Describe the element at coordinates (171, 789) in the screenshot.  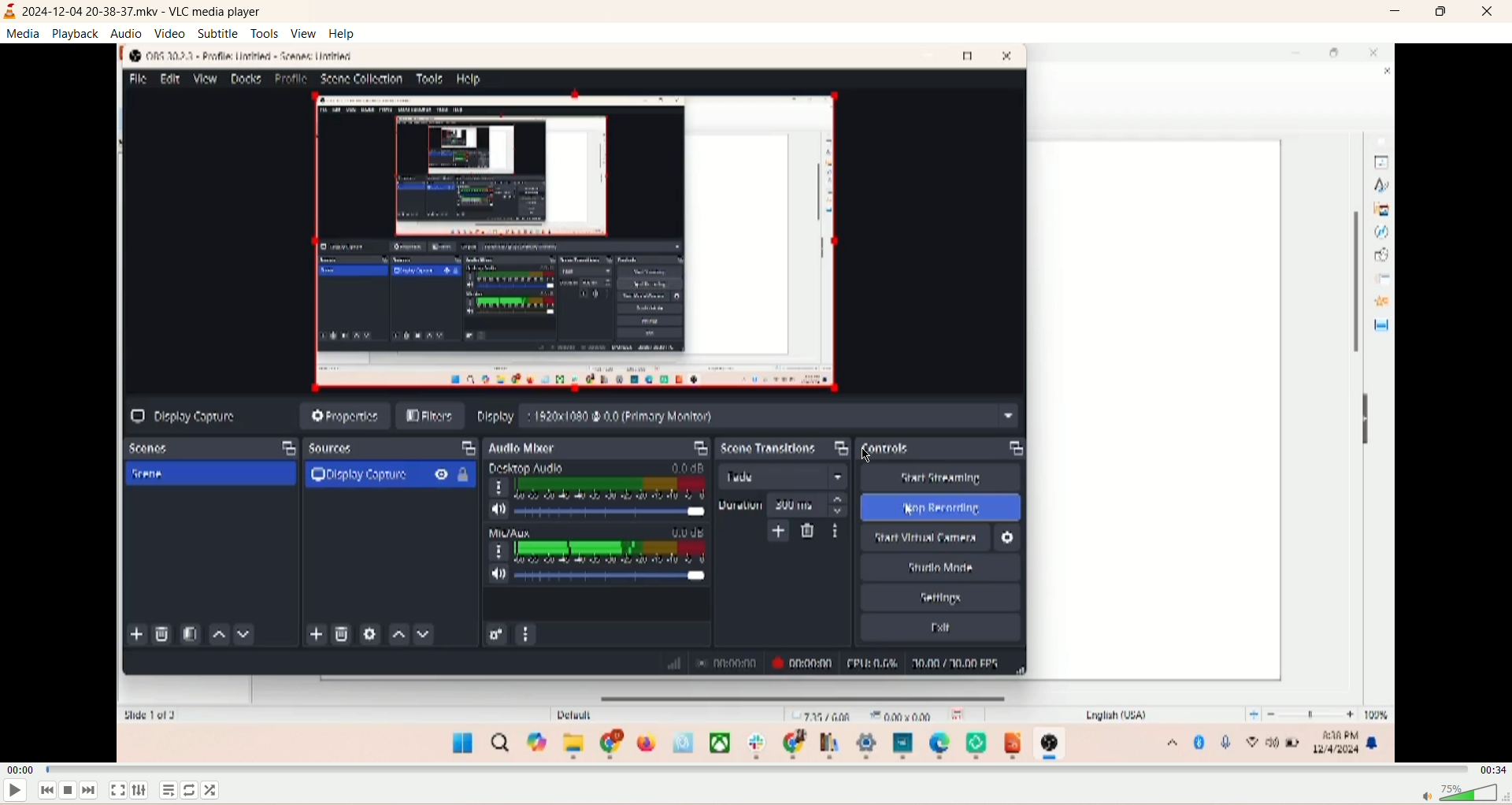
I see `playlist` at that location.